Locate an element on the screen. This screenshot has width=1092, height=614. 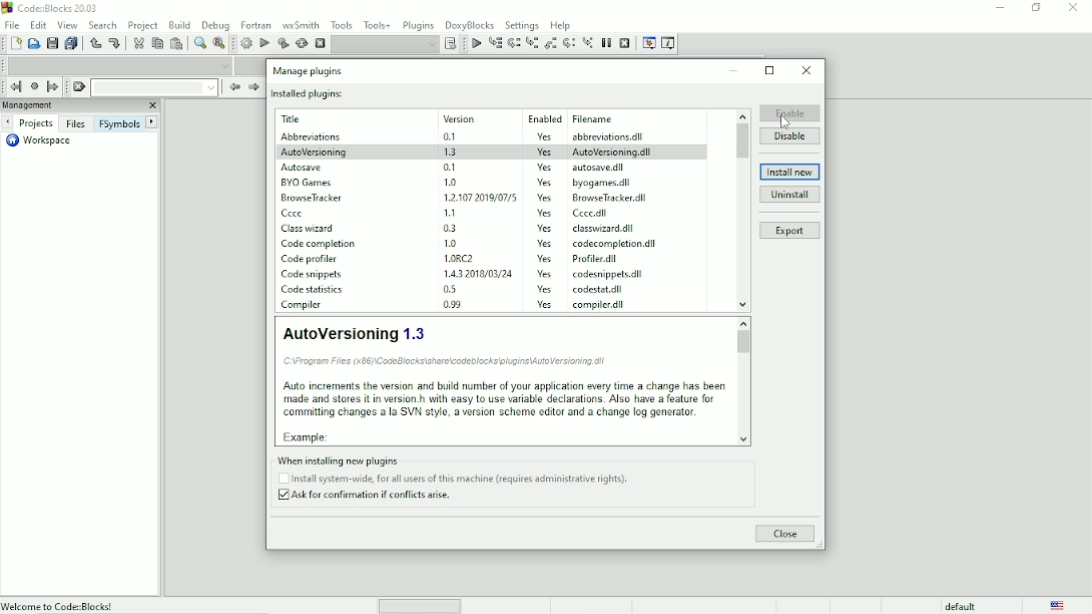
Various info is located at coordinates (669, 44).